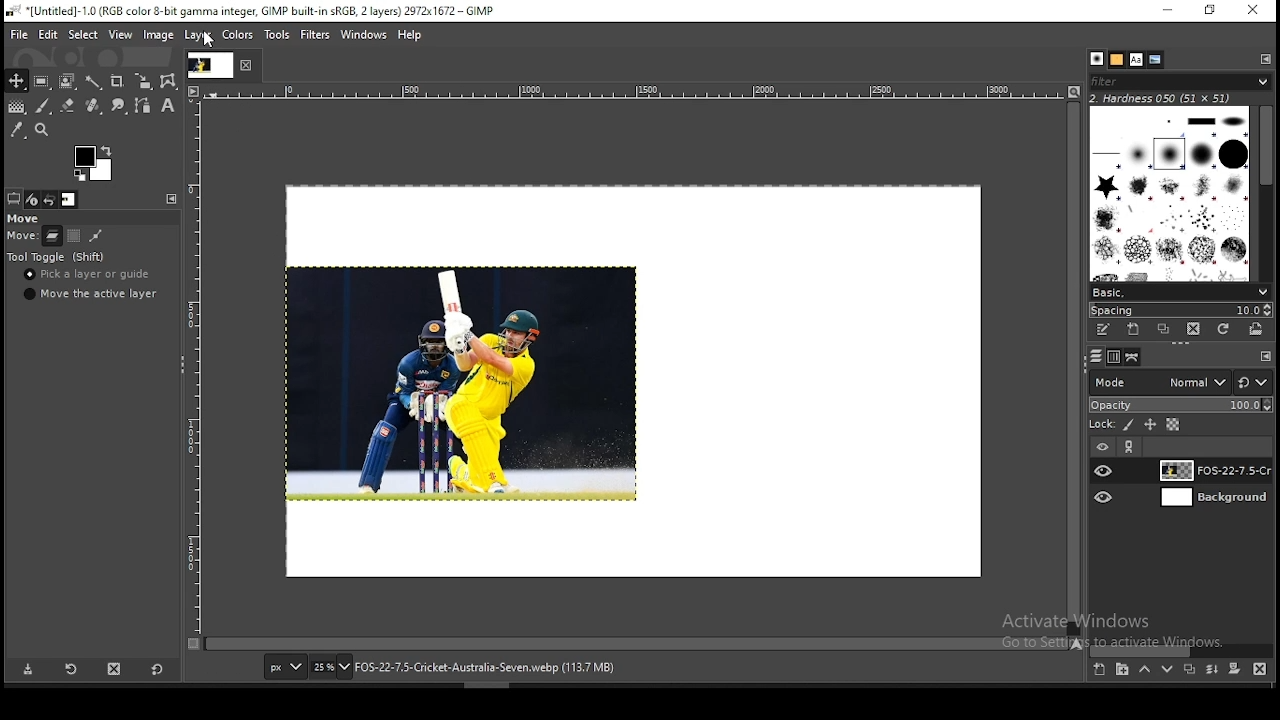  Describe the element at coordinates (166, 107) in the screenshot. I see `text tool` at that location.